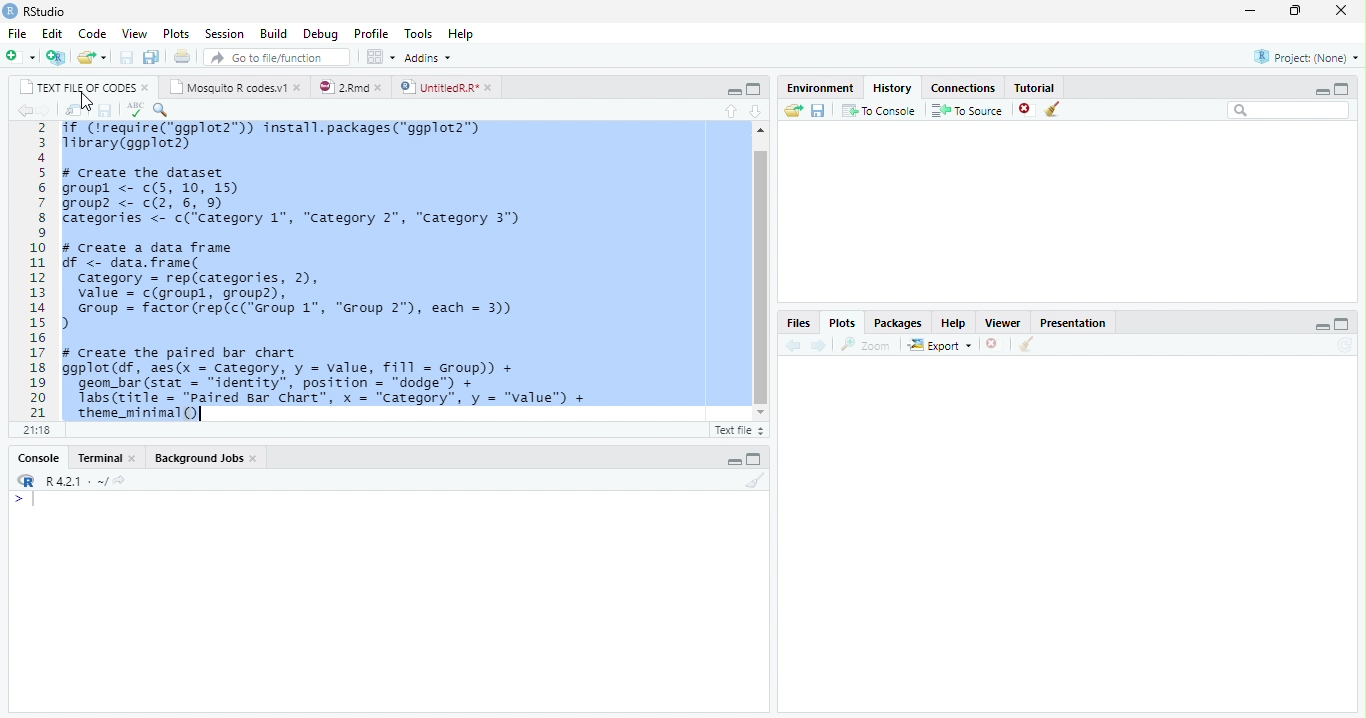 The height and width of the screenshot is (718, 1366). Describe the element at coordinates (792, 108) in the screenshot. I see `send file` at that location.